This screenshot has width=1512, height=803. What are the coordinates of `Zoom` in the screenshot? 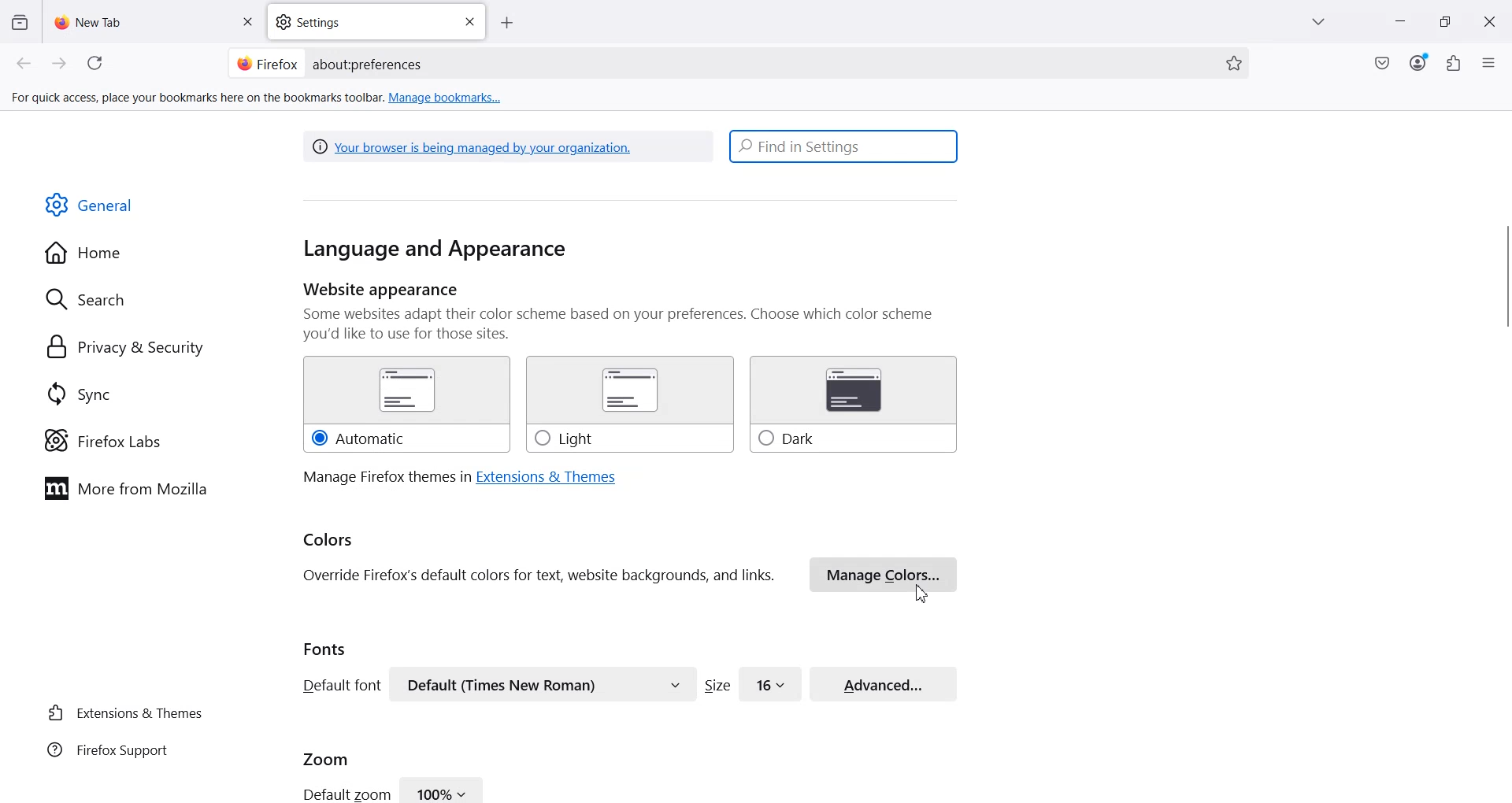 It's located at (326, 757).